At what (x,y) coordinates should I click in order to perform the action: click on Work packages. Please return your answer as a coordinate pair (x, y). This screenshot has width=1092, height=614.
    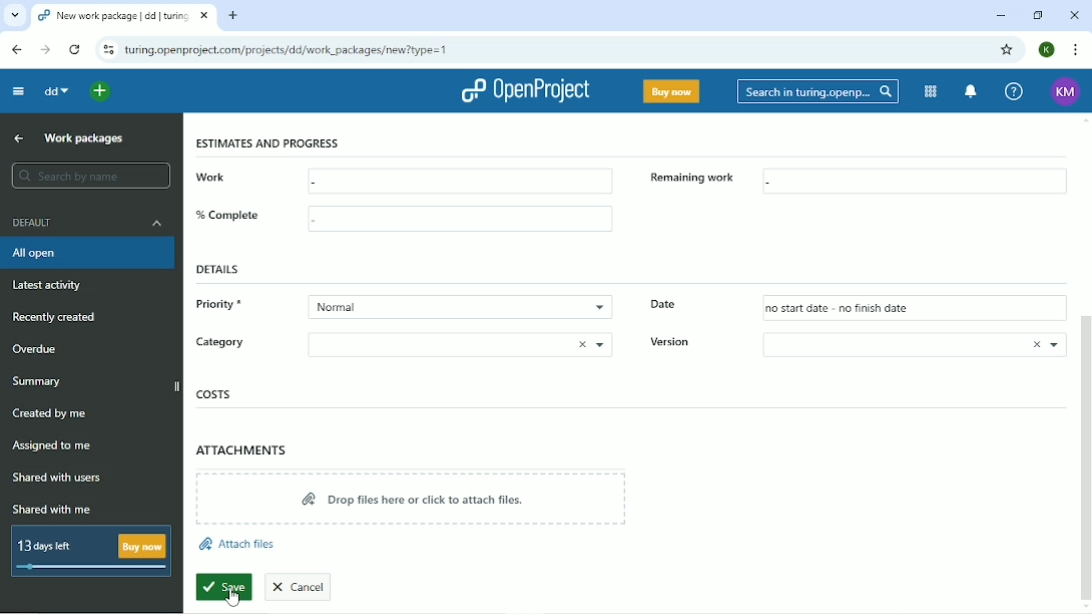
    Looking at the image, I should click on (83, 138).